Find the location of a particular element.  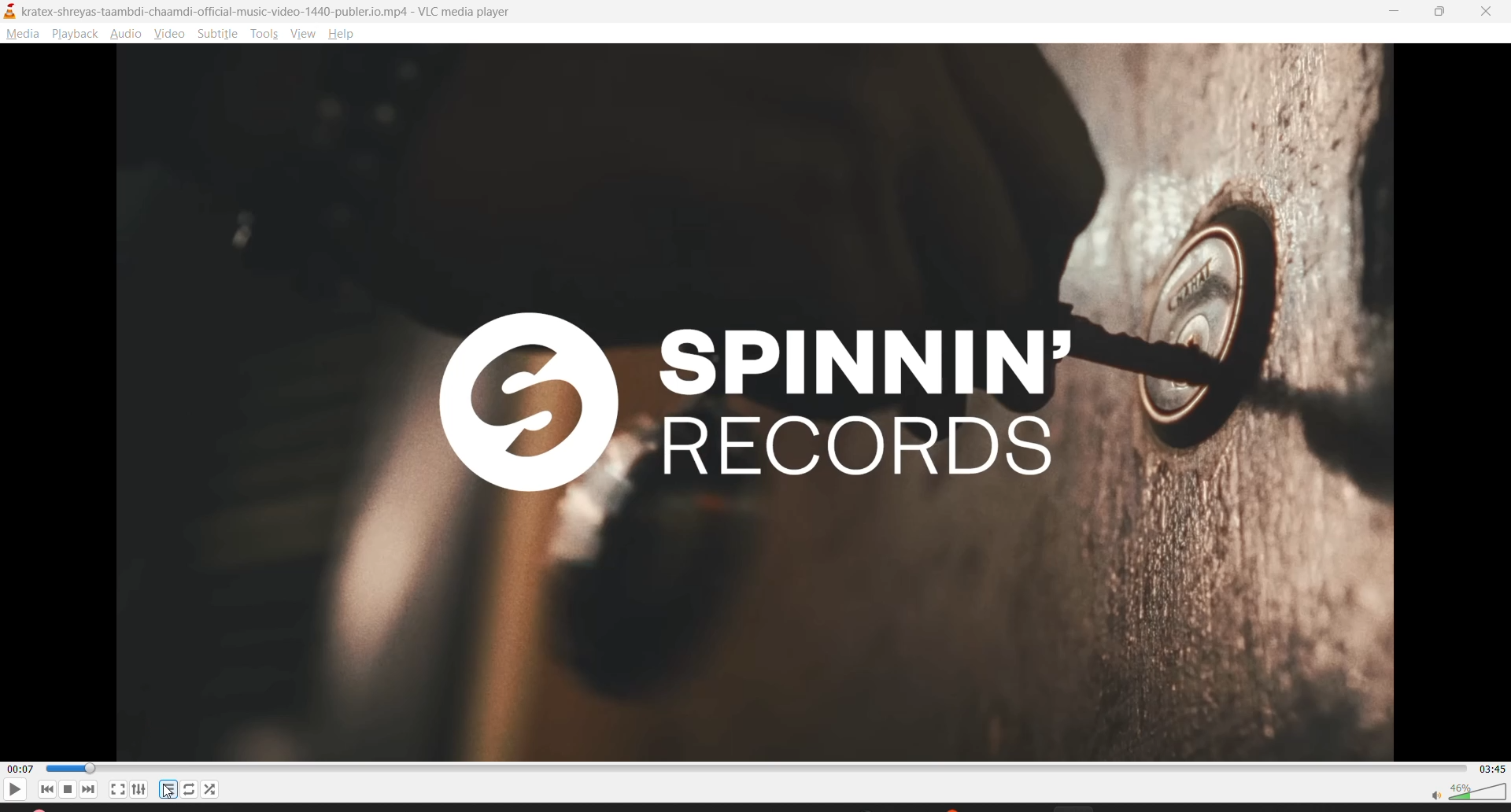

playback is located at coordinates (75, 34).